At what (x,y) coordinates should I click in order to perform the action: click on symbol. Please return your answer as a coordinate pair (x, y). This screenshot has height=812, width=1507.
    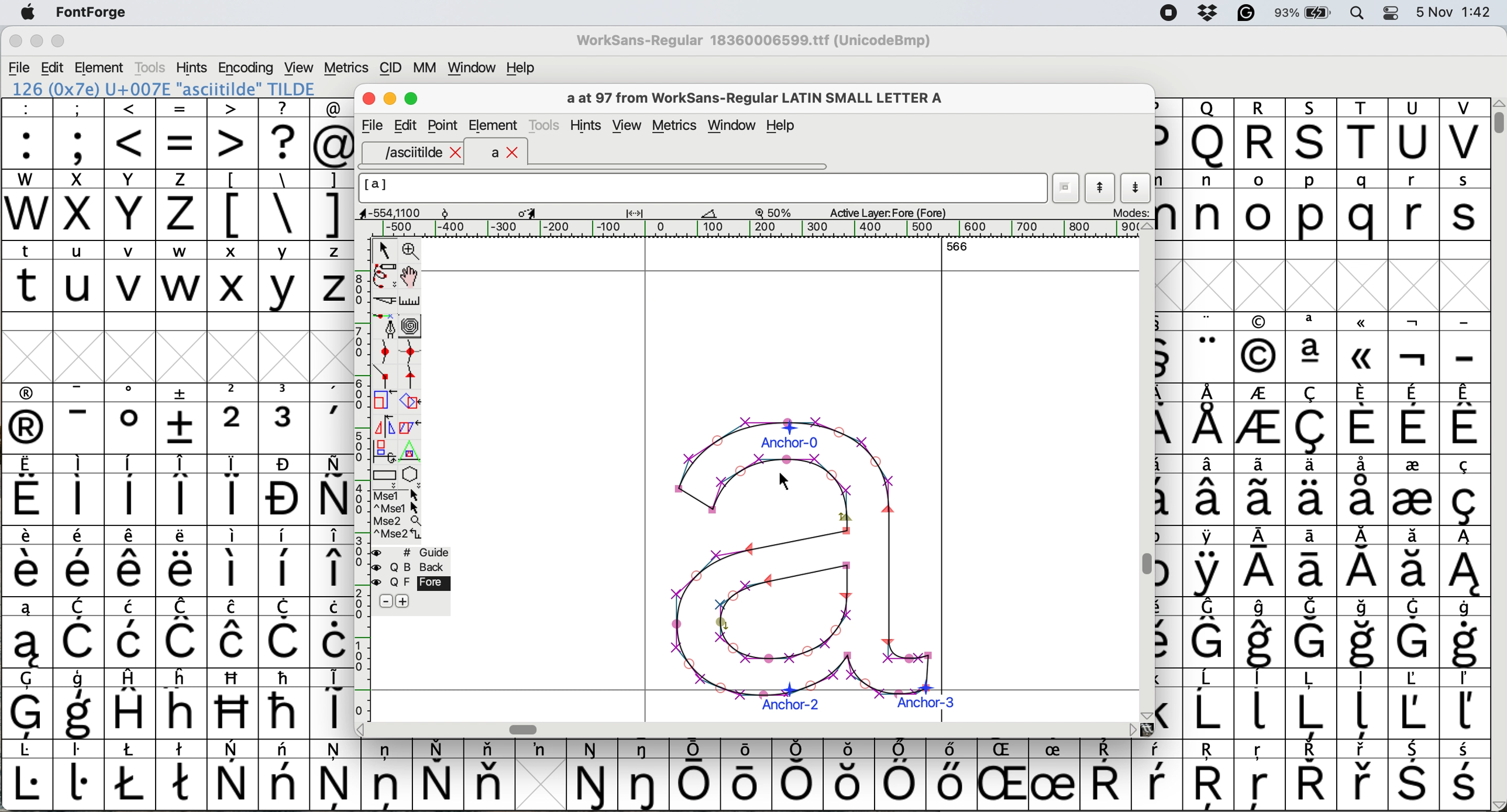
    Looking at the image, I should click on (332, 419).